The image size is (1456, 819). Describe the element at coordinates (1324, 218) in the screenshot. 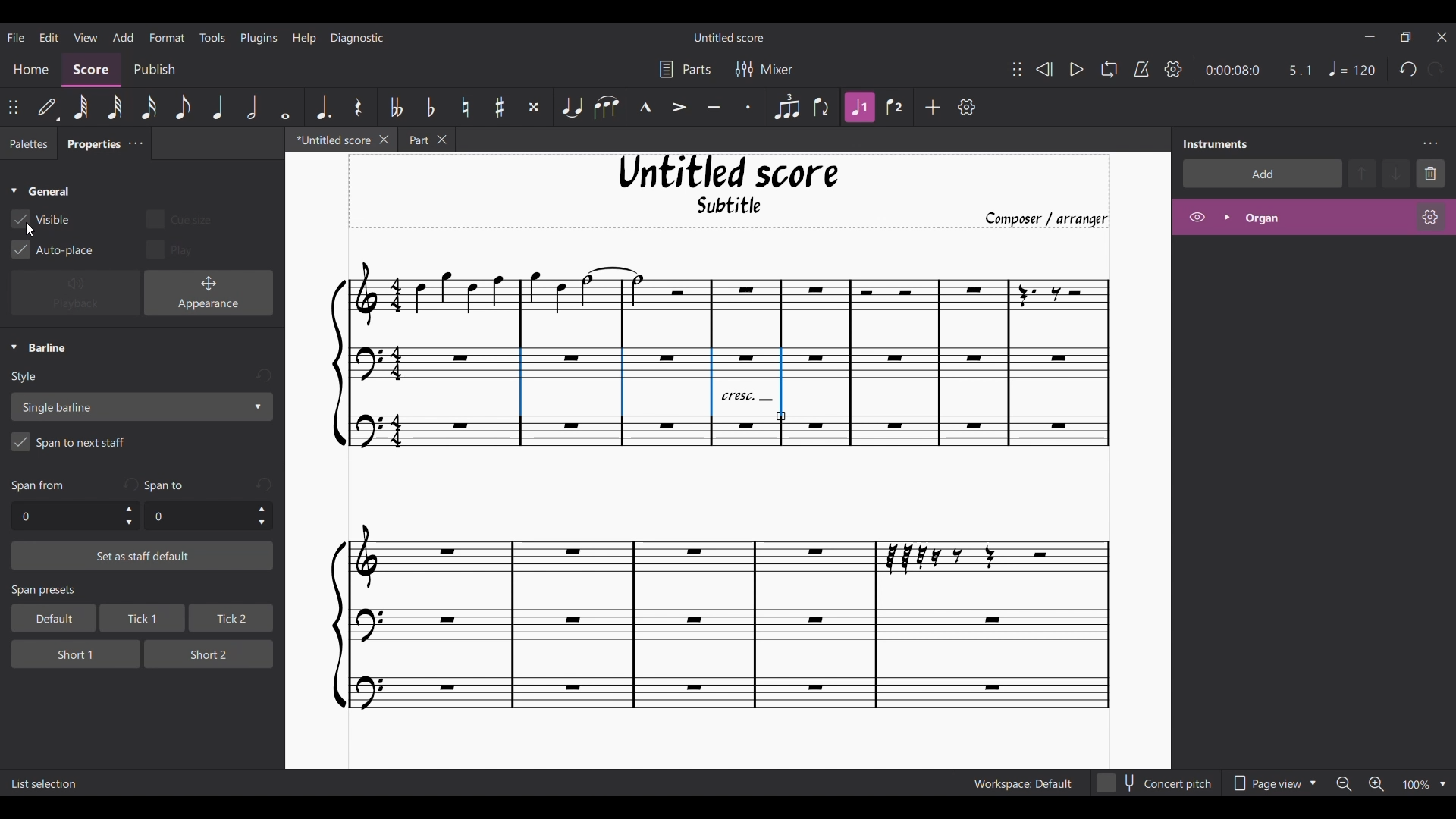

I see `Organ` at that location.